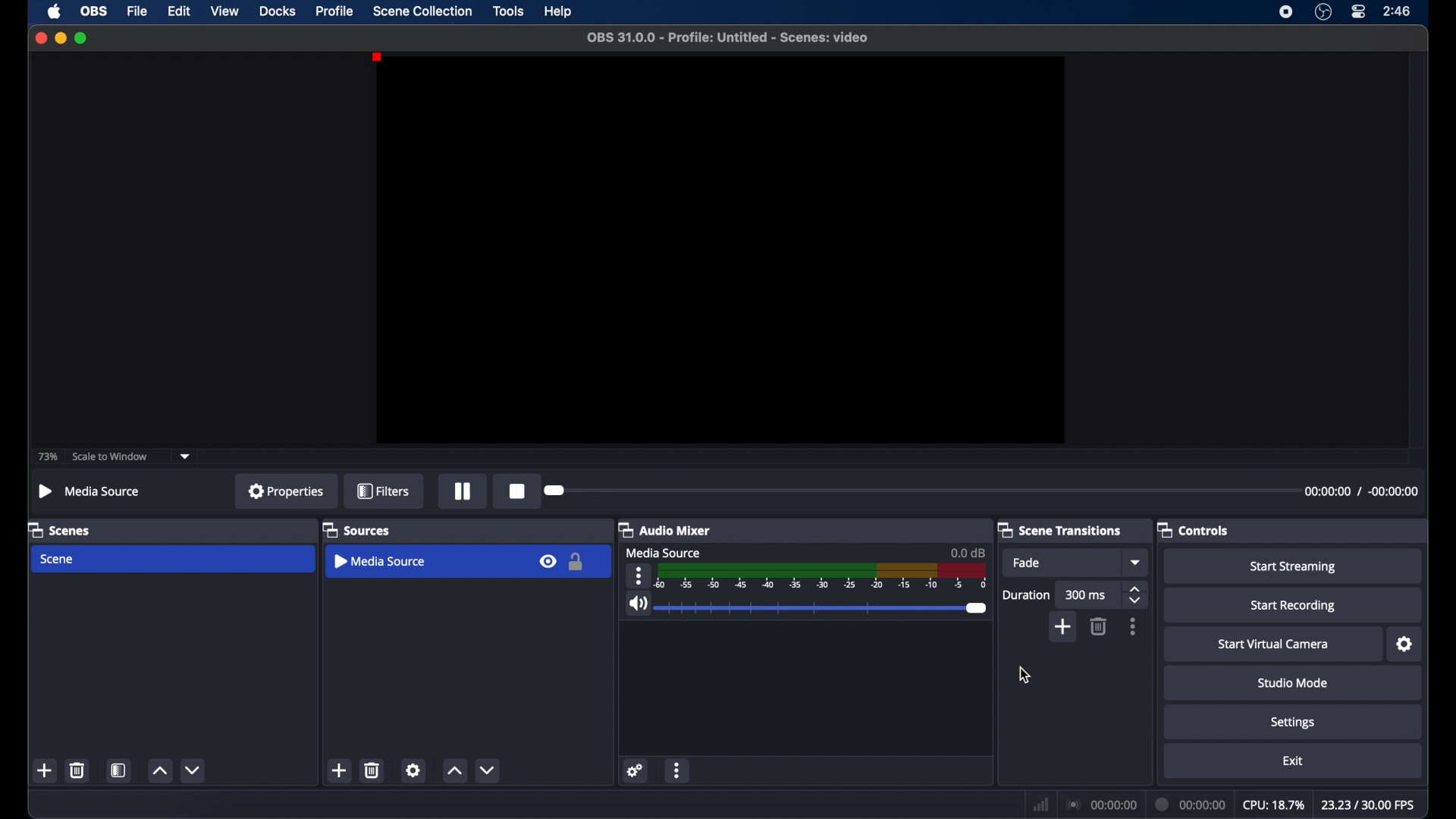 The height and width of the screenshot is (819, 1456). Describe the element at coordinates (60, 37) in the screenshot. I see `minimize` at that location.